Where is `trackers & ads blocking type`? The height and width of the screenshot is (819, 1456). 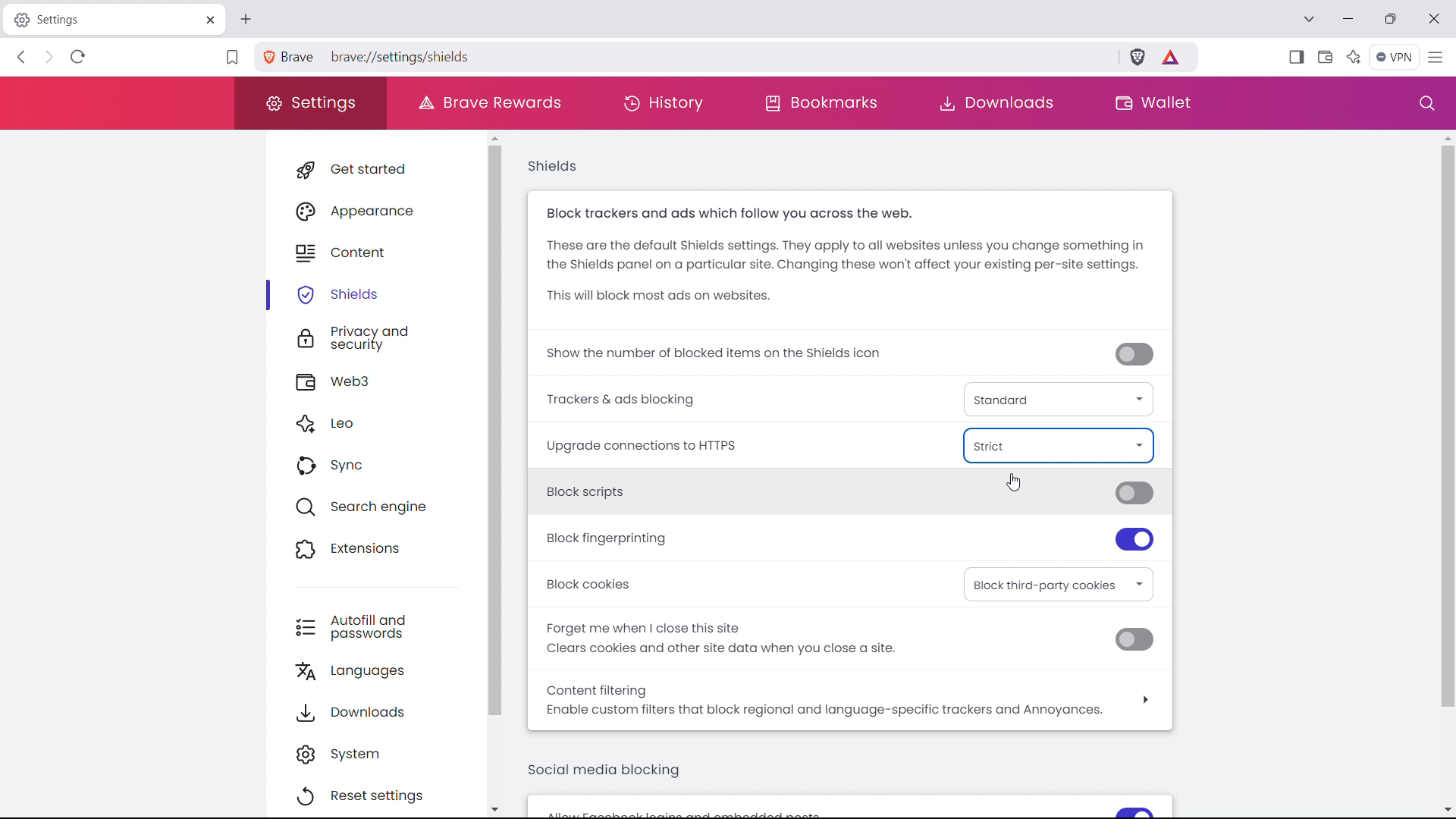
trackers & ads blocking type is located at coordinates (1058, 400).